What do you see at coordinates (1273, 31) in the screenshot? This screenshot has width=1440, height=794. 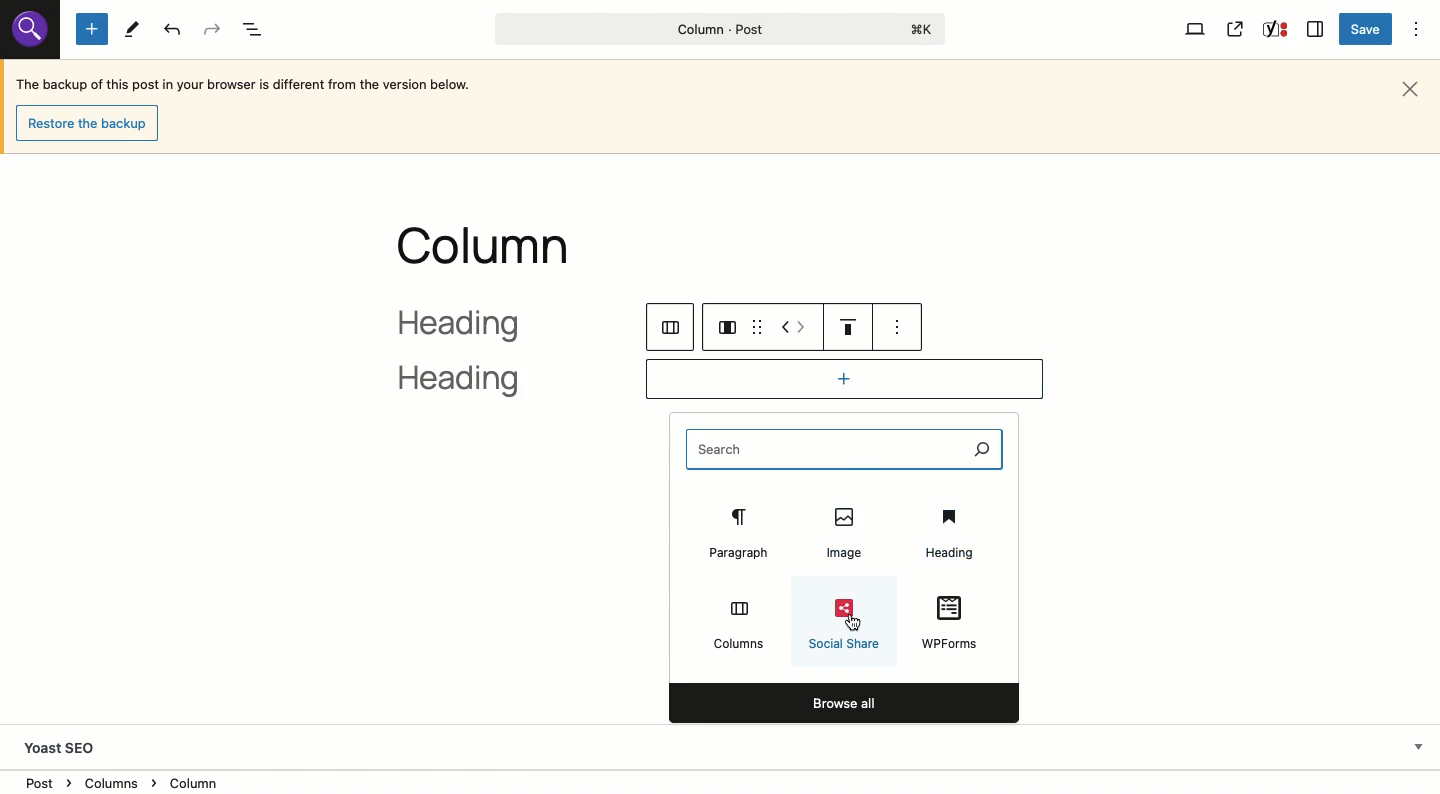 I see `Yoast` at bounding box center [1273, 31].